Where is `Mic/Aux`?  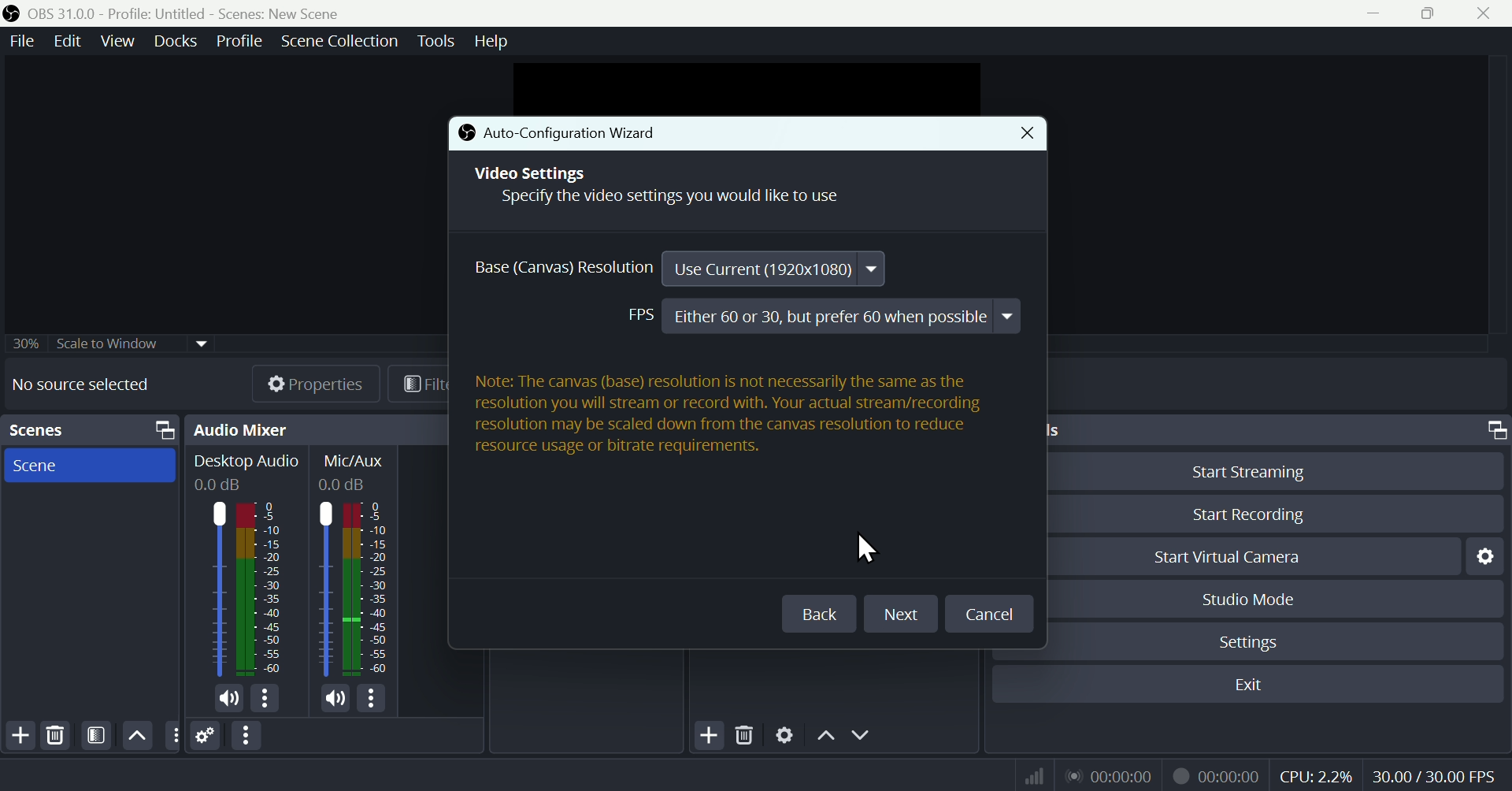 Mic/Aux is located at coordinates (356, 565).